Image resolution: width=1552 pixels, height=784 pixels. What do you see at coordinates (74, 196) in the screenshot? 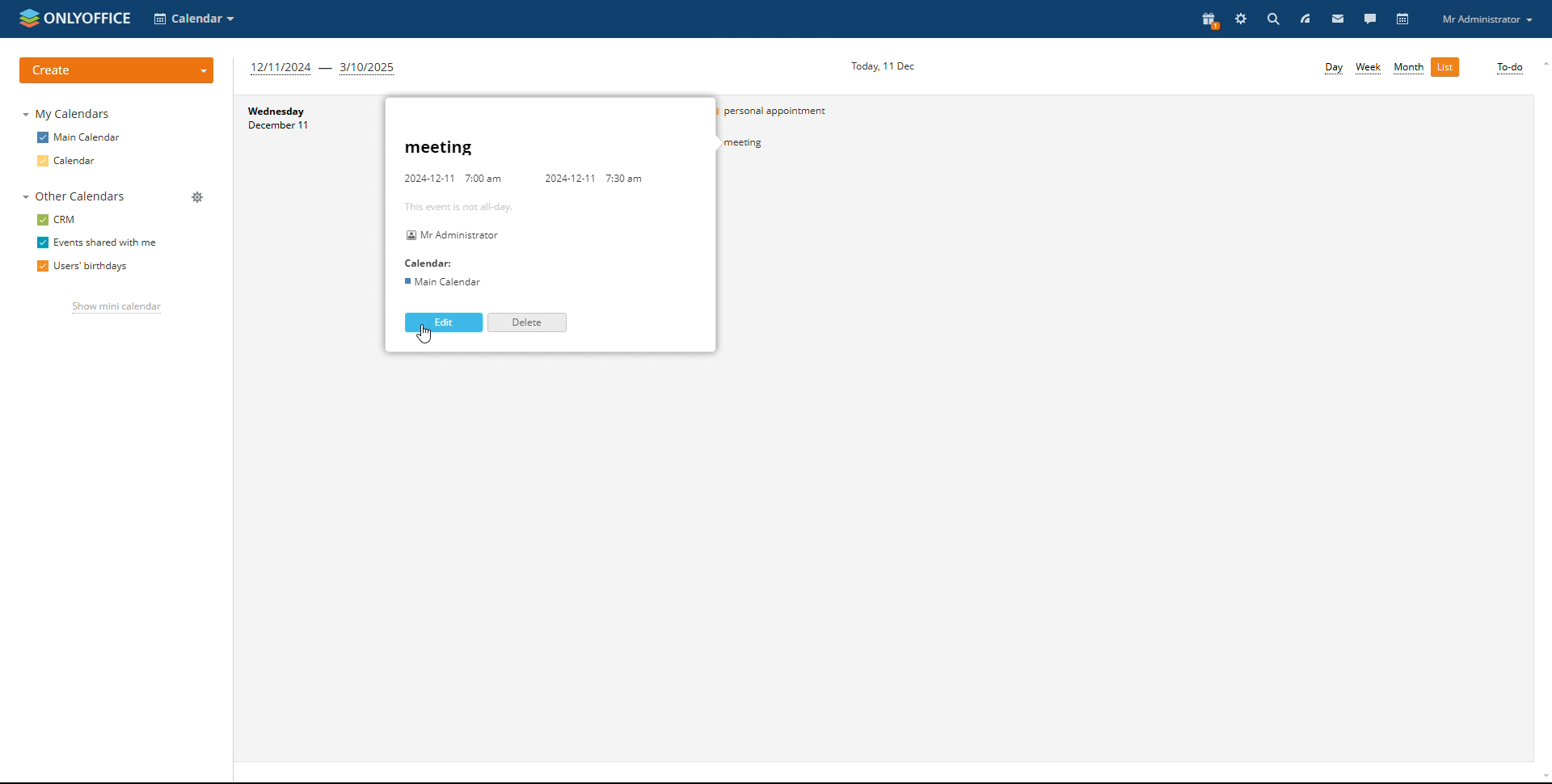
I see `other calendars` at bounding box center [74, 196].